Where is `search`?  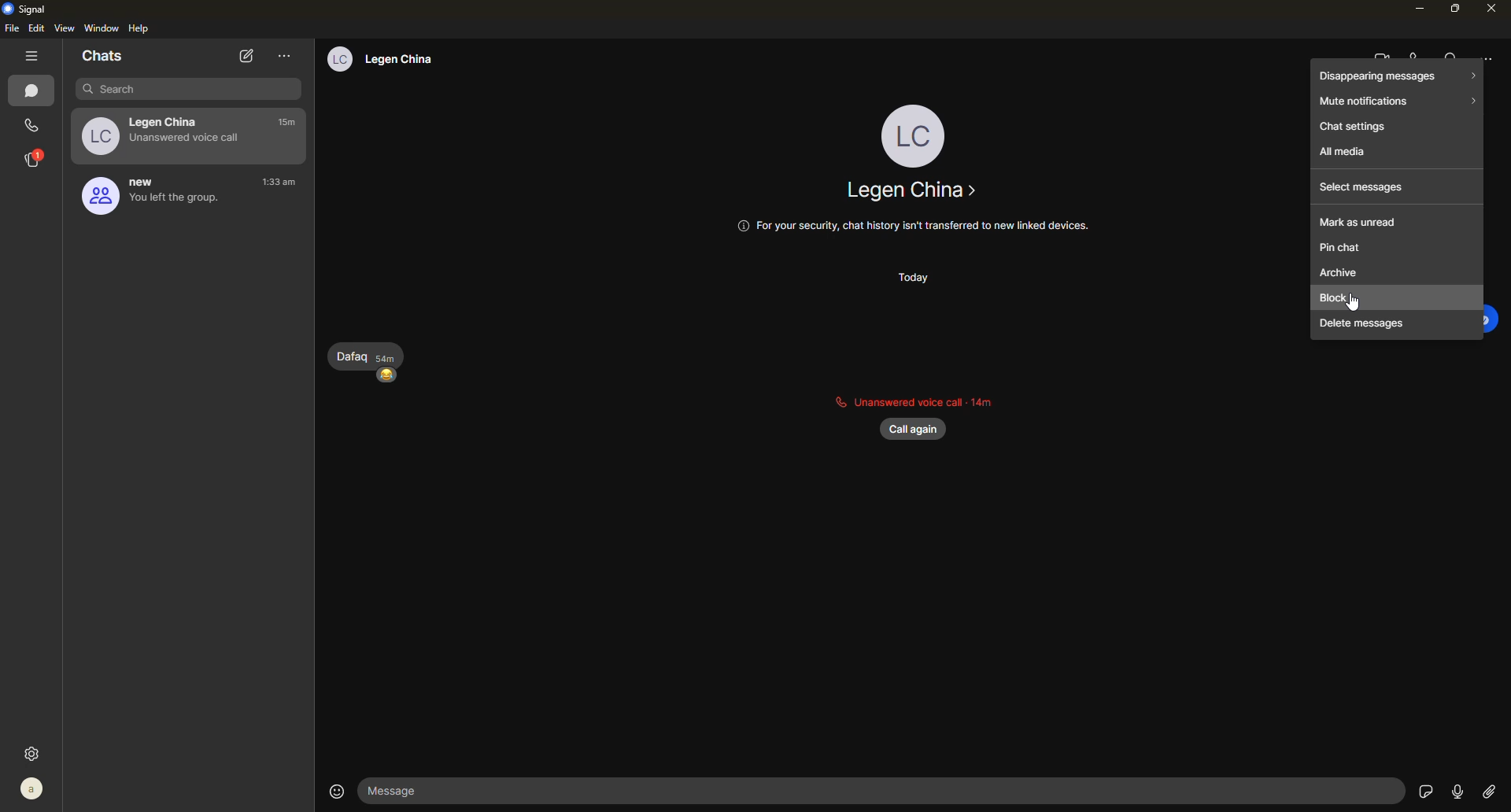 search is located at coordinates (1450, 59).